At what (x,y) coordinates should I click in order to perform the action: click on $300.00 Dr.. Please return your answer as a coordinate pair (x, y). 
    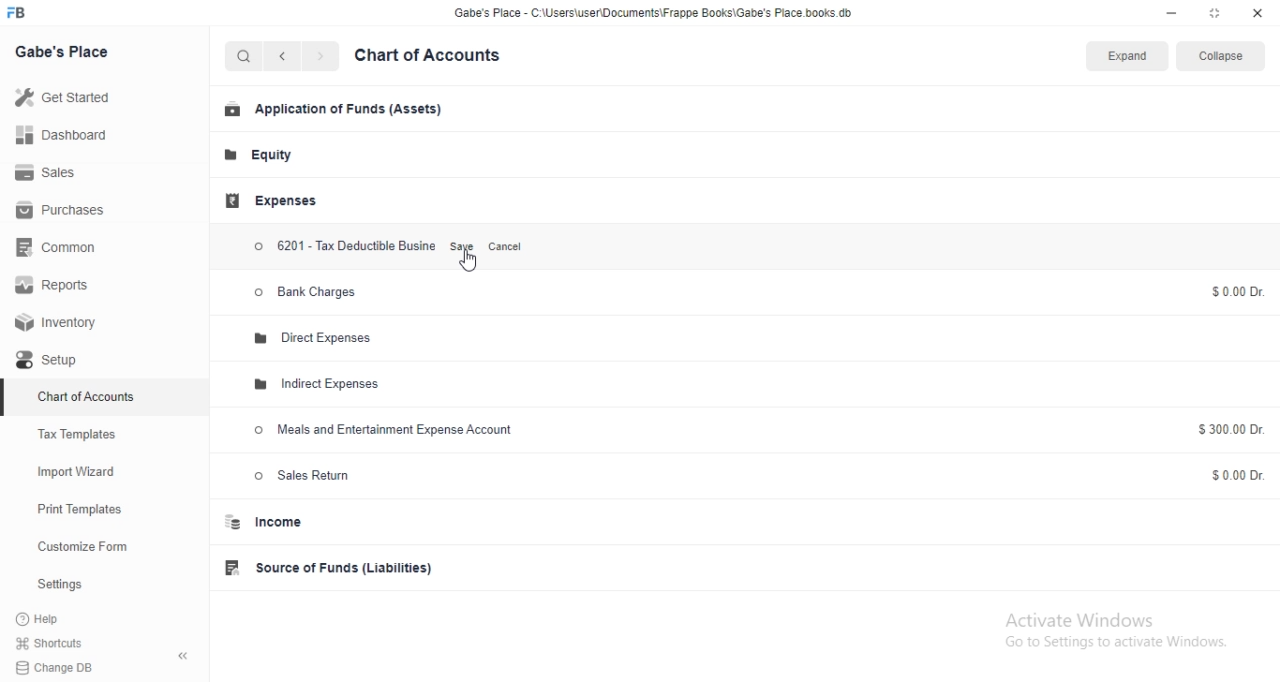
    Looking at the image, I should click on (1236, 430).